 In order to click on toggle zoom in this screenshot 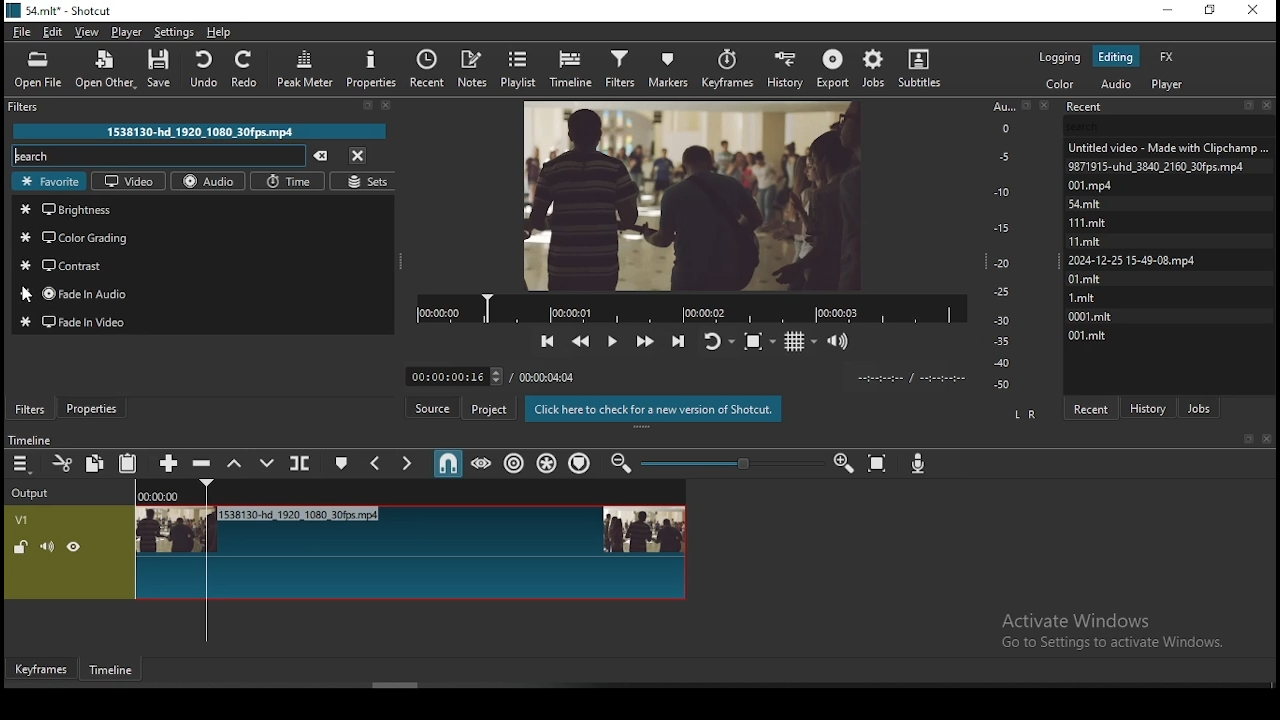, I will do `click(759, 339)`.